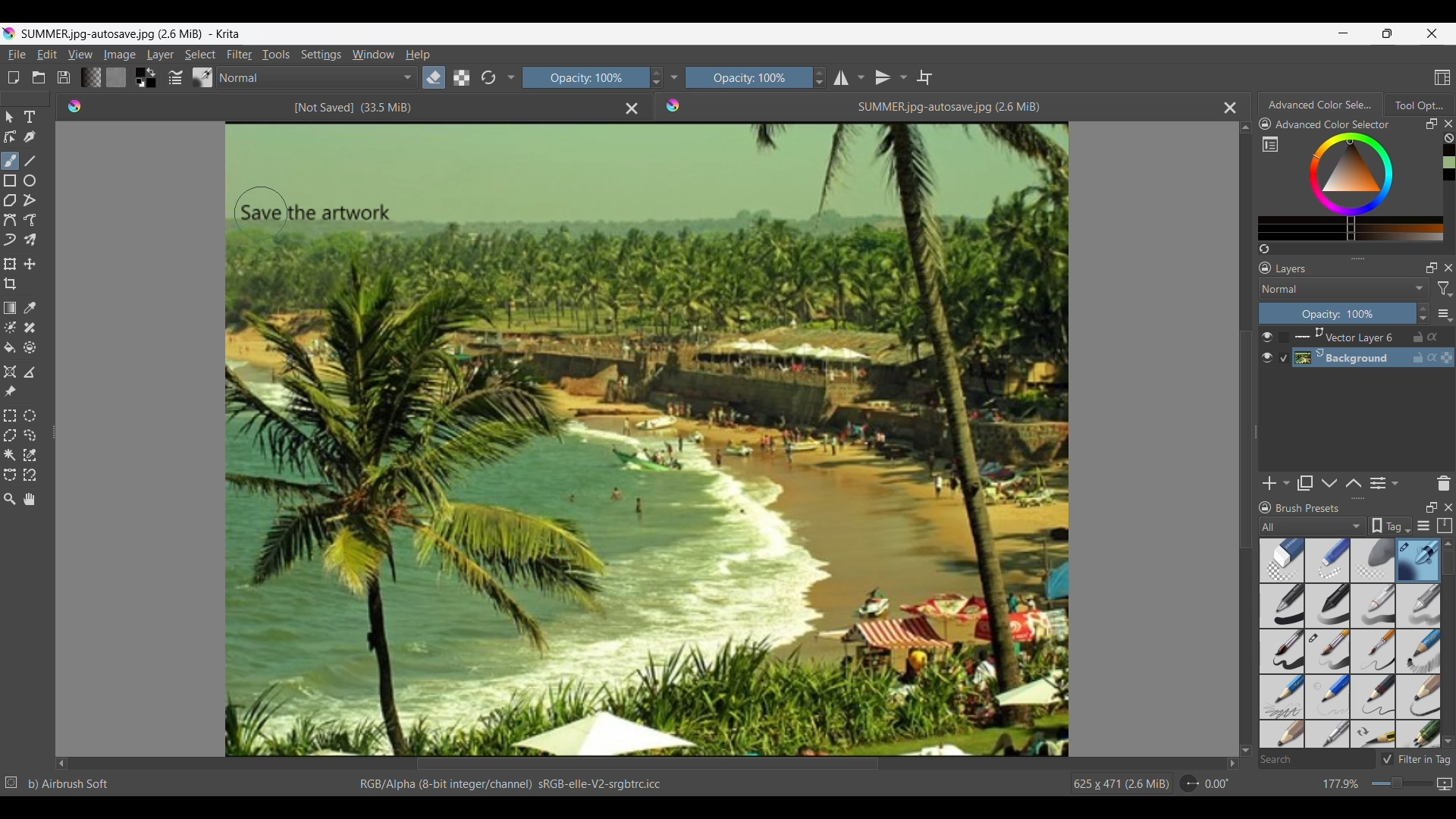 This screenshot has width=1456, height=819. I want to click on Logo, so click(77, 106).